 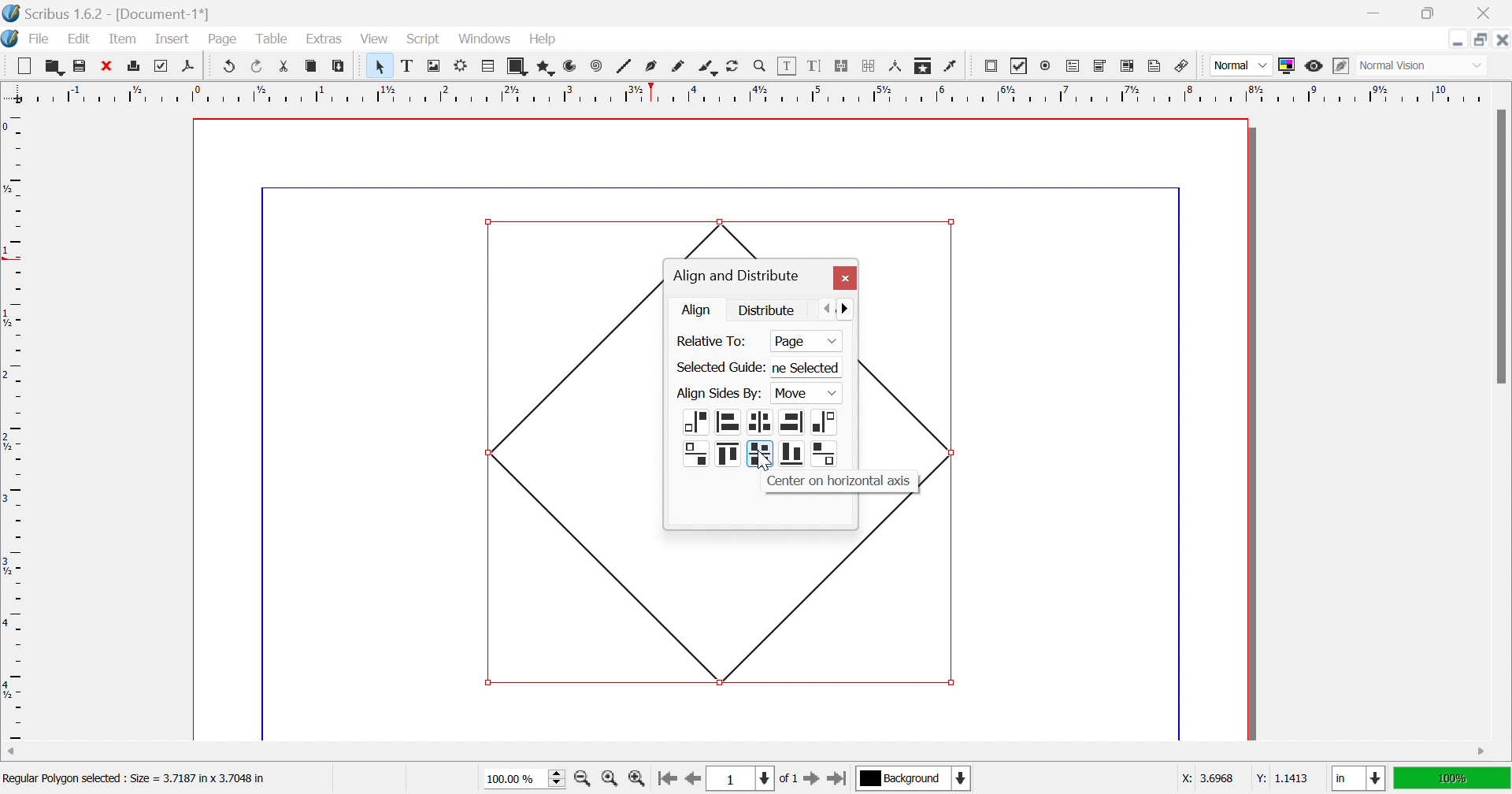 I want to click on Edit text with story editor, so click(x=813, y=65).